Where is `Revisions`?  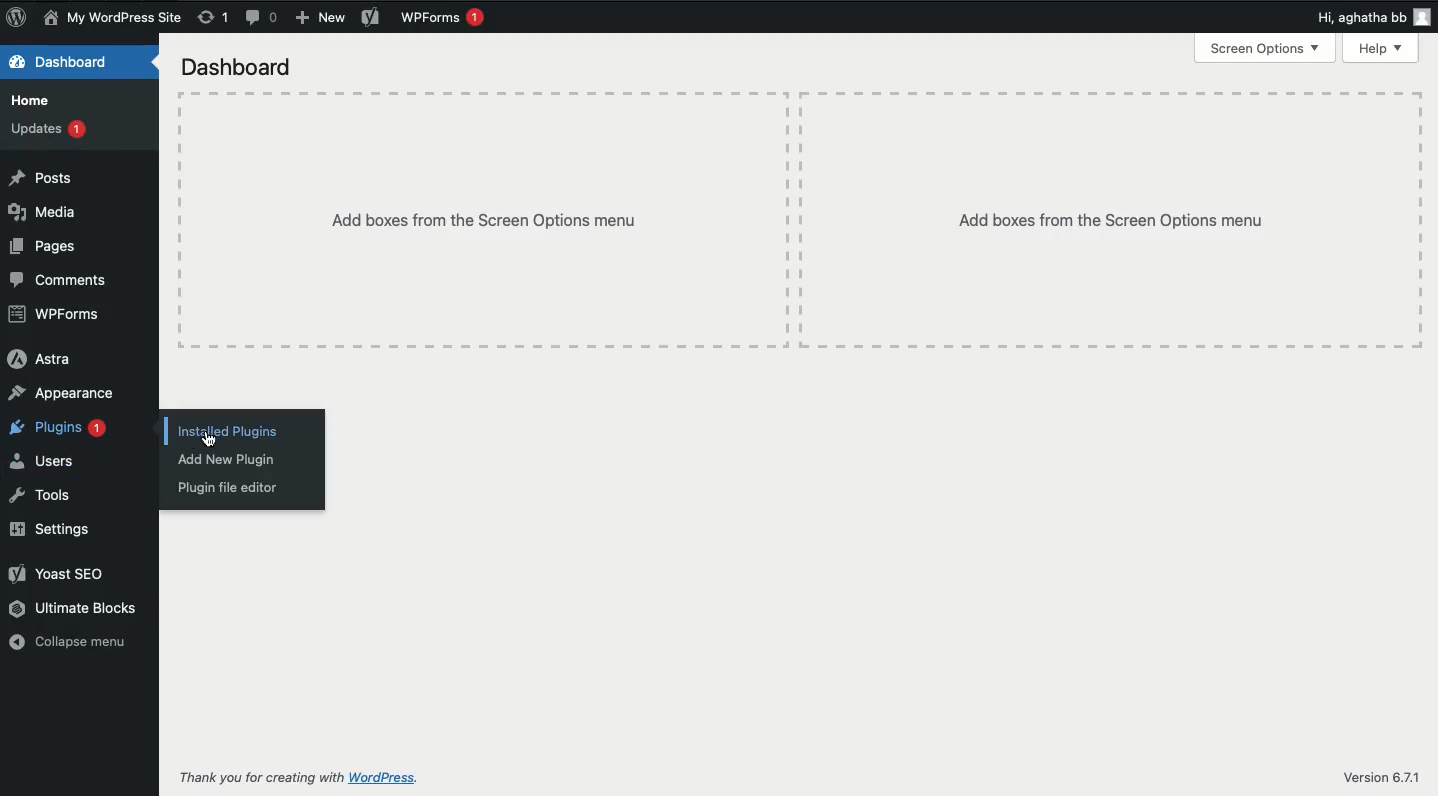
Revisions is located at coordinates (211, 18).